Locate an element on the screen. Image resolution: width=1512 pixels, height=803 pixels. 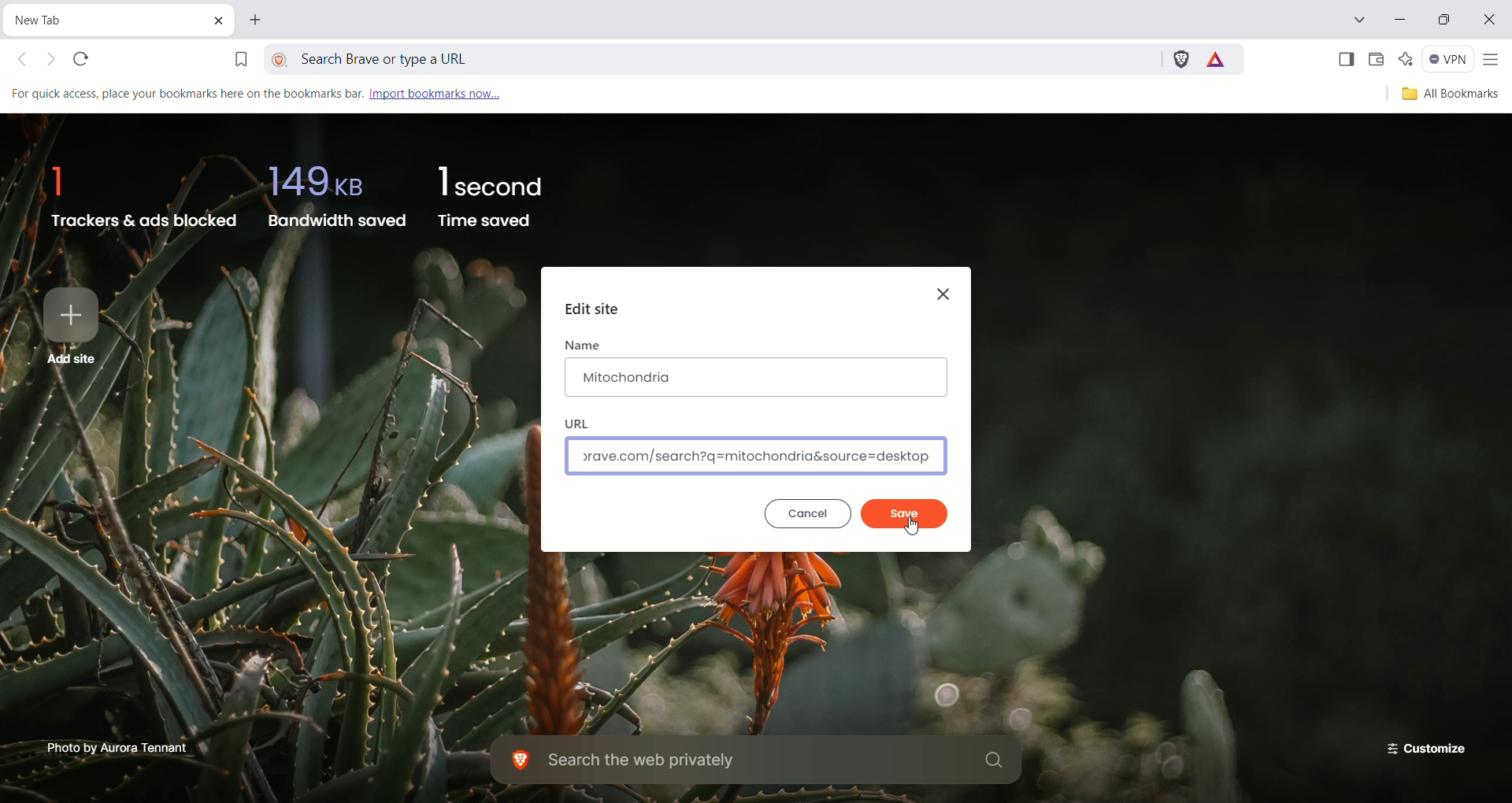
cursor is located at coordinates (914, 527).